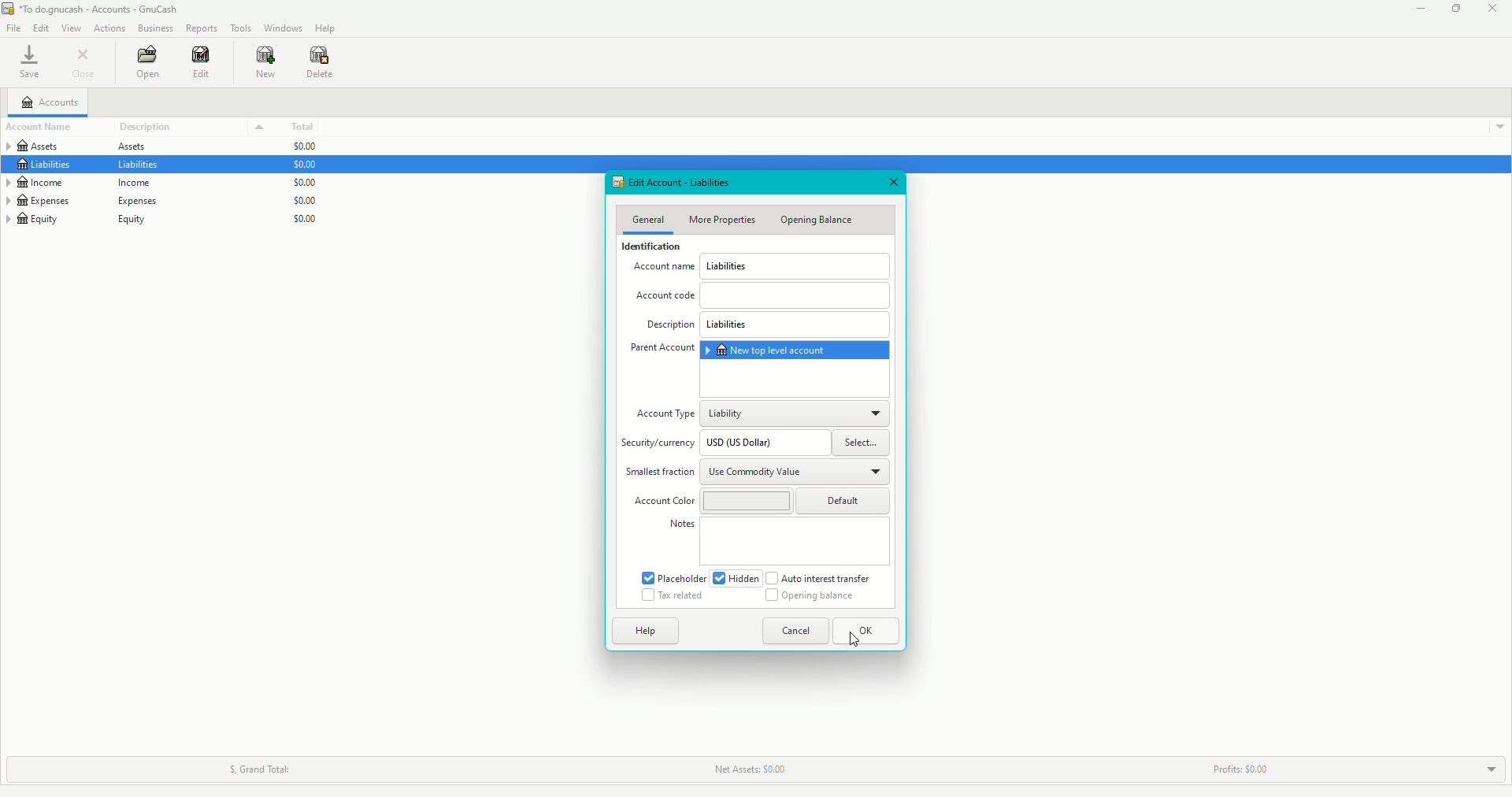 The height and width of the screenshot is (797, 1512). What do you see at coordinates (78, 183) in the screenshot?
I see `Income` at bounding box center [78, 183].